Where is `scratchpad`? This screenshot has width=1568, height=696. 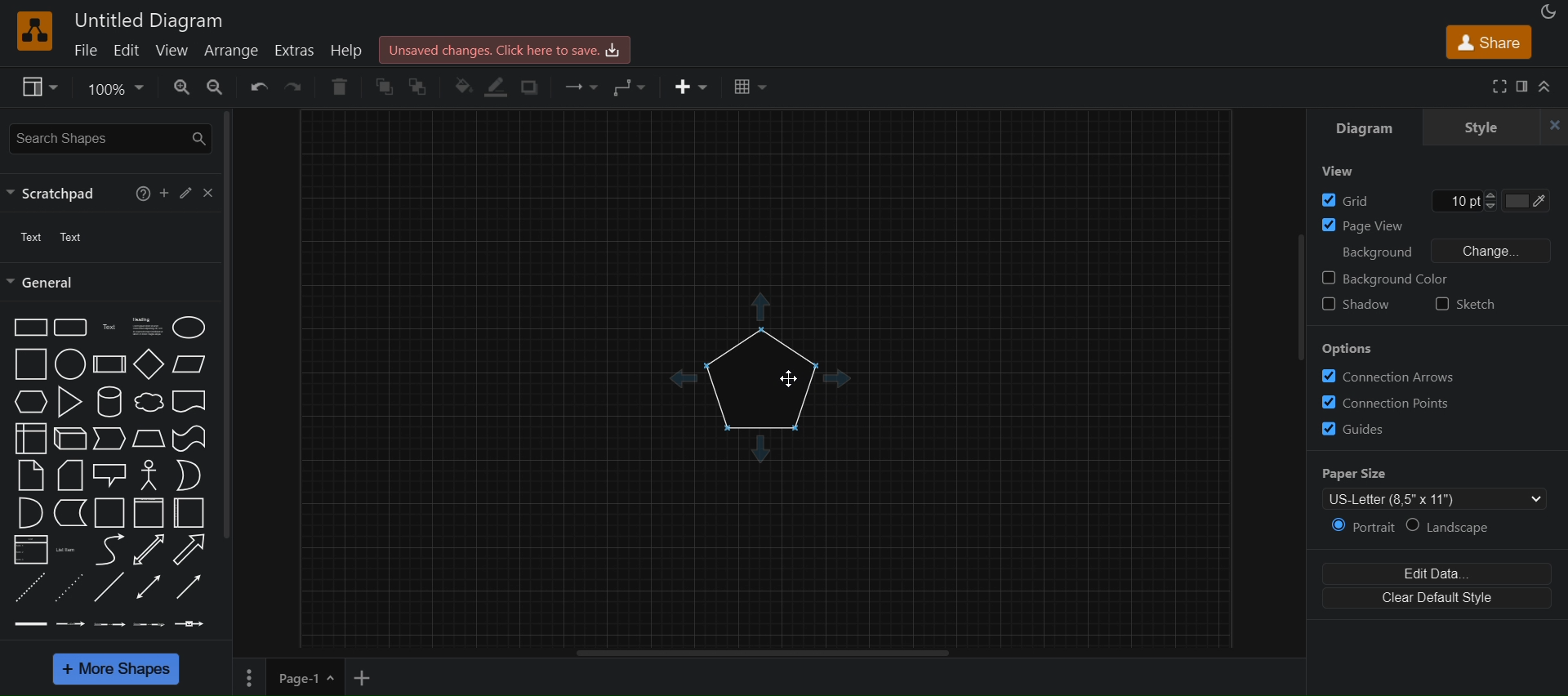
scratchpad is located at coordinates (59, 194).